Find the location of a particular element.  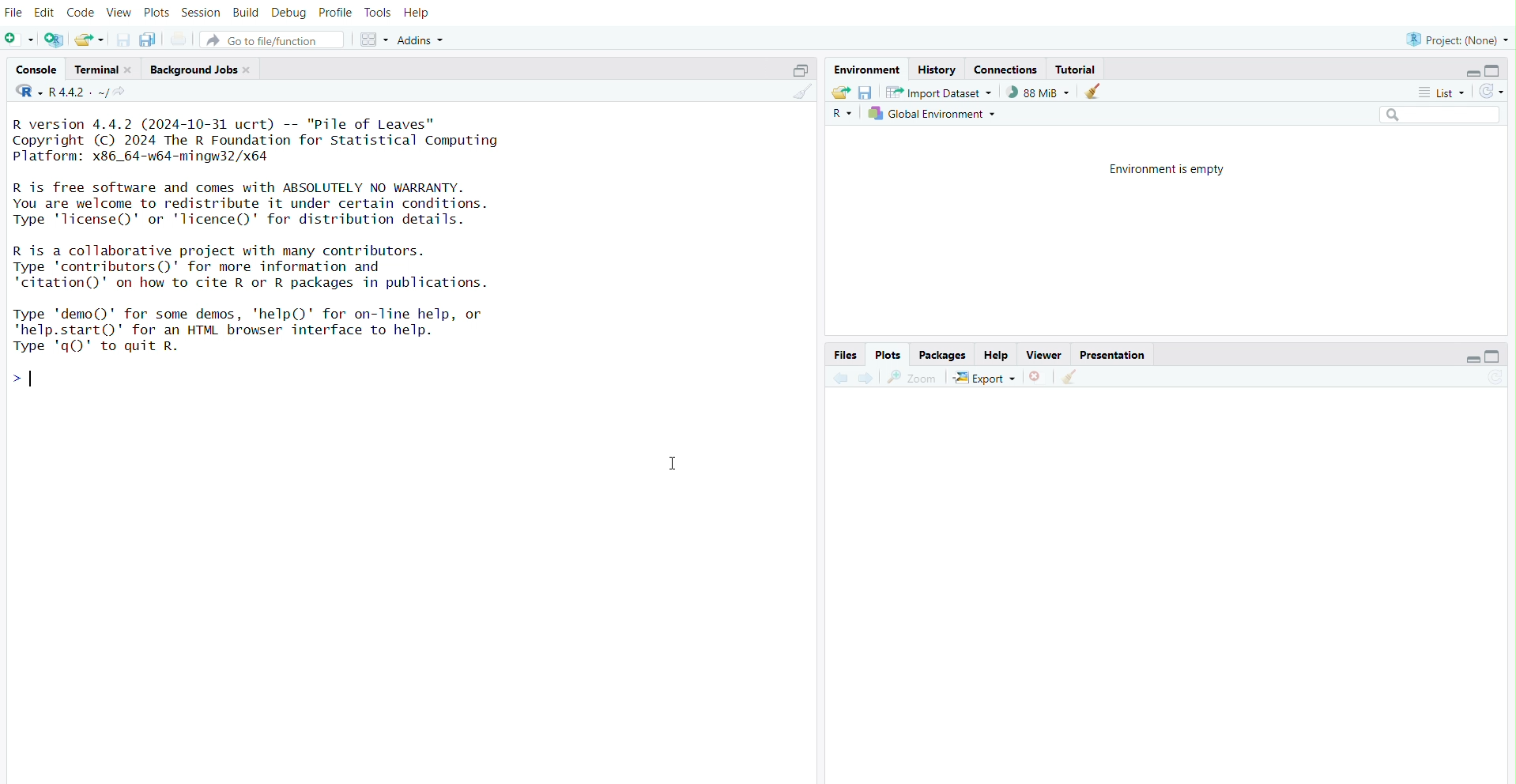

project: (None) is located at coordinates (1454, 38).